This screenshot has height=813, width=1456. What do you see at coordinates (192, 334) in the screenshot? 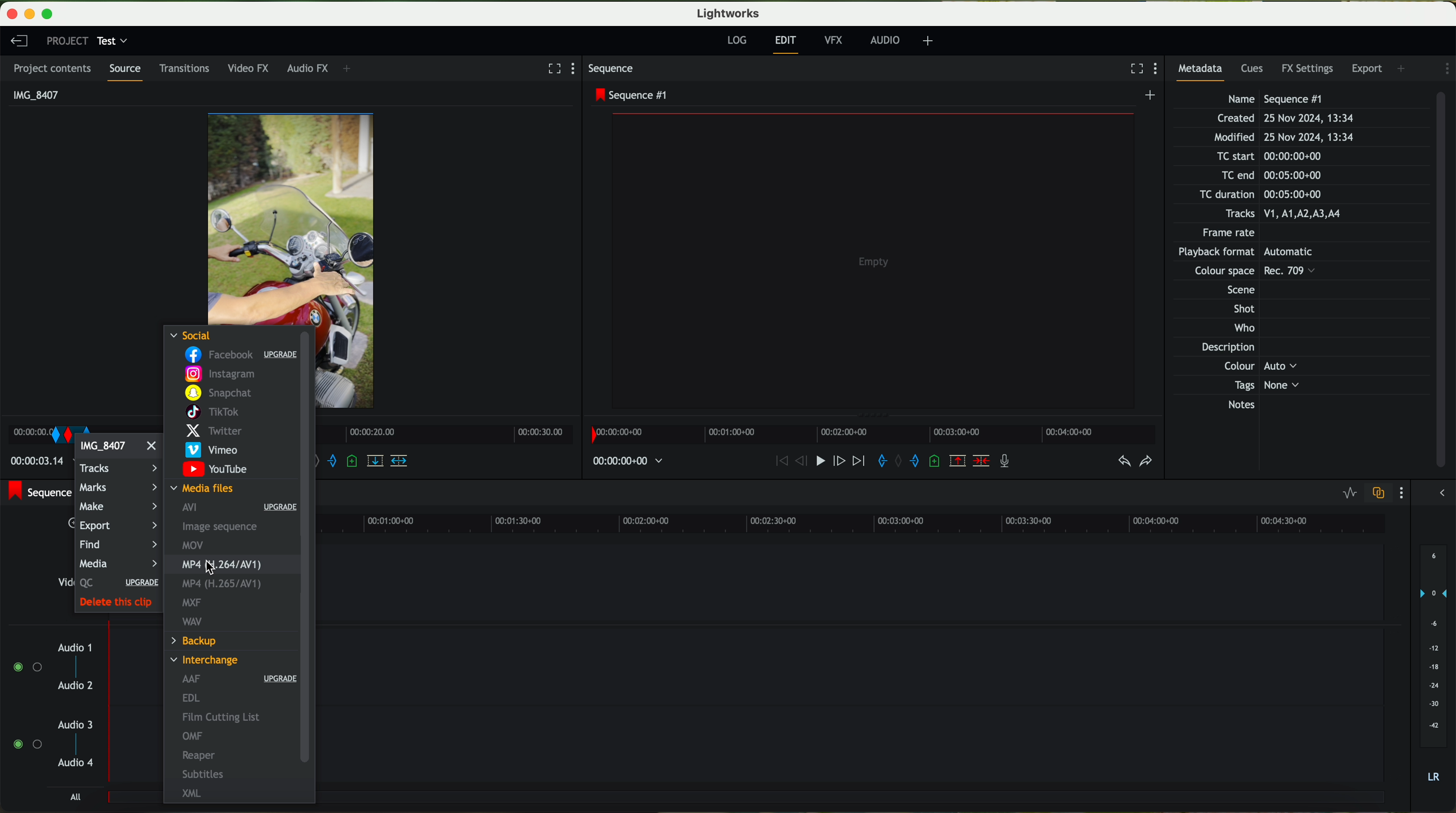
I see `social` at bounding box center [192, 334].